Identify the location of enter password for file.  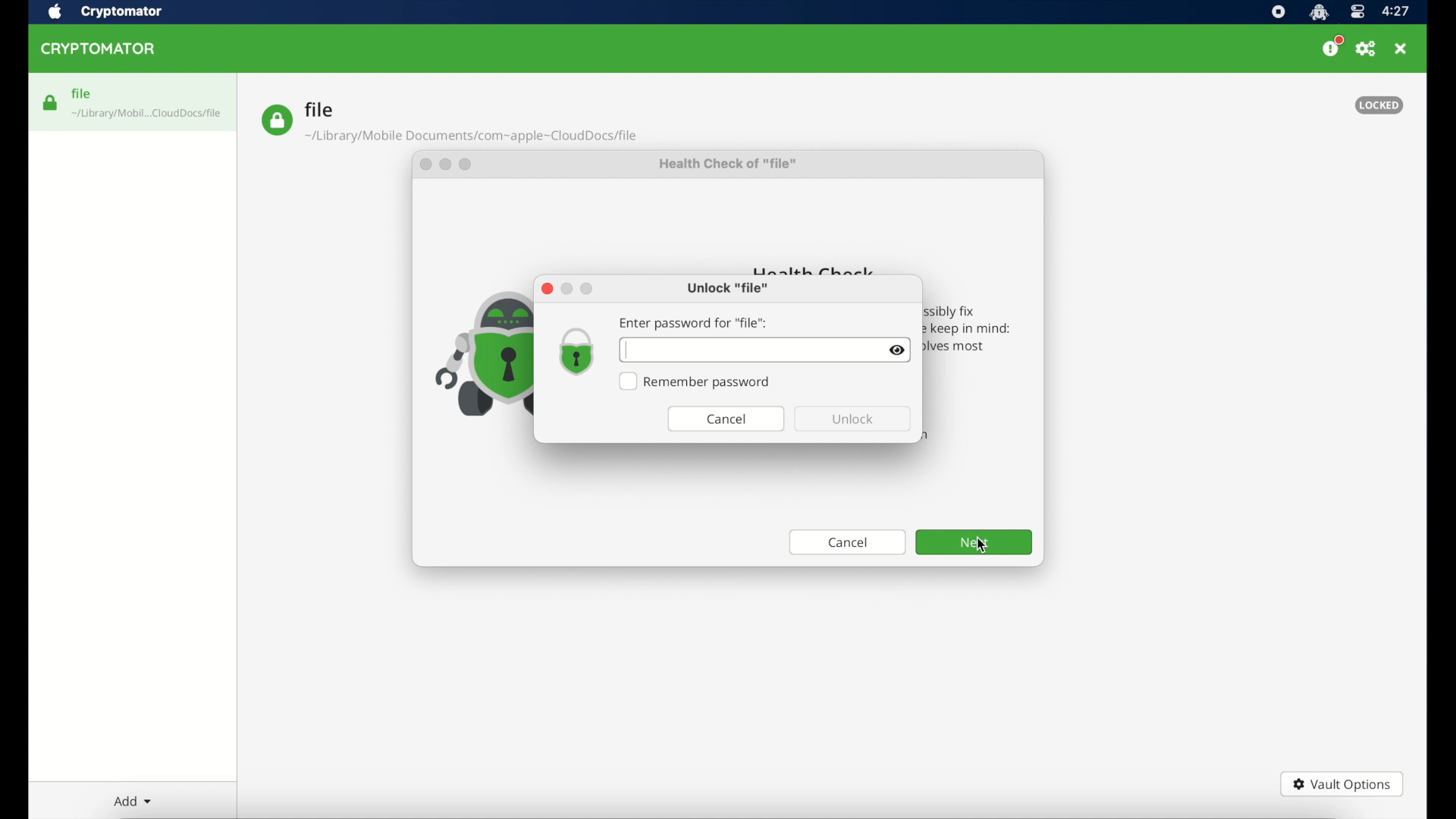
(695, 323).